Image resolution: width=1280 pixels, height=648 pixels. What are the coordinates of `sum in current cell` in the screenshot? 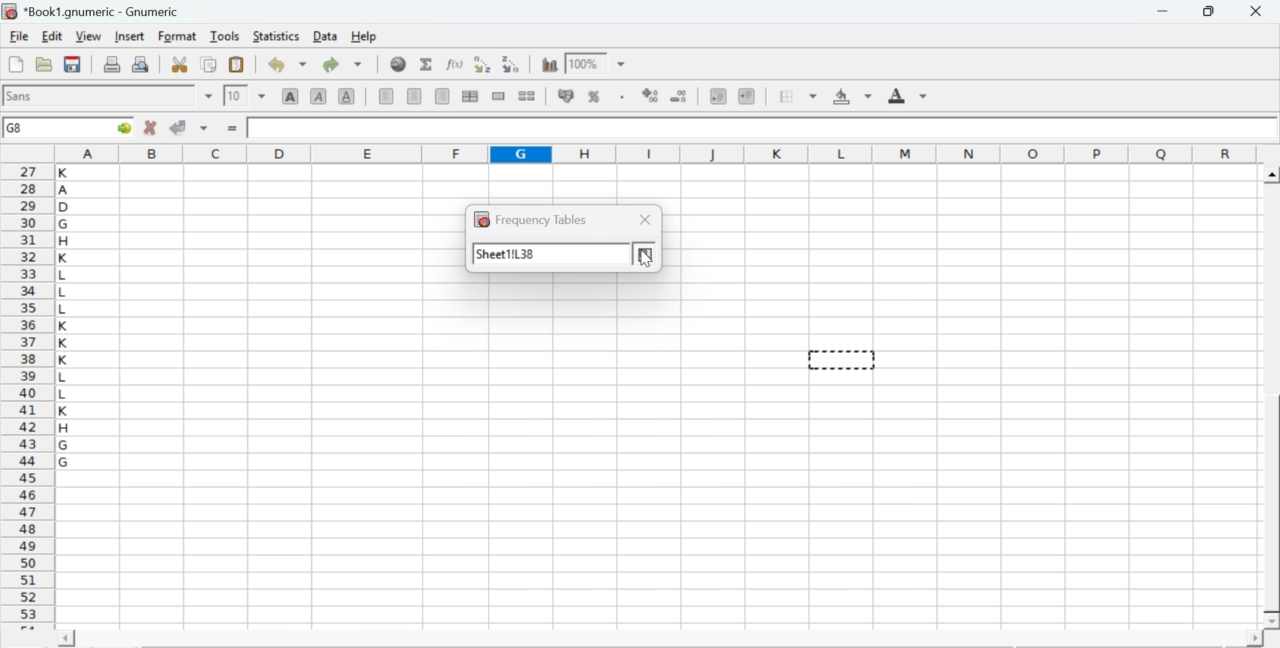 It's located at (427, 63).